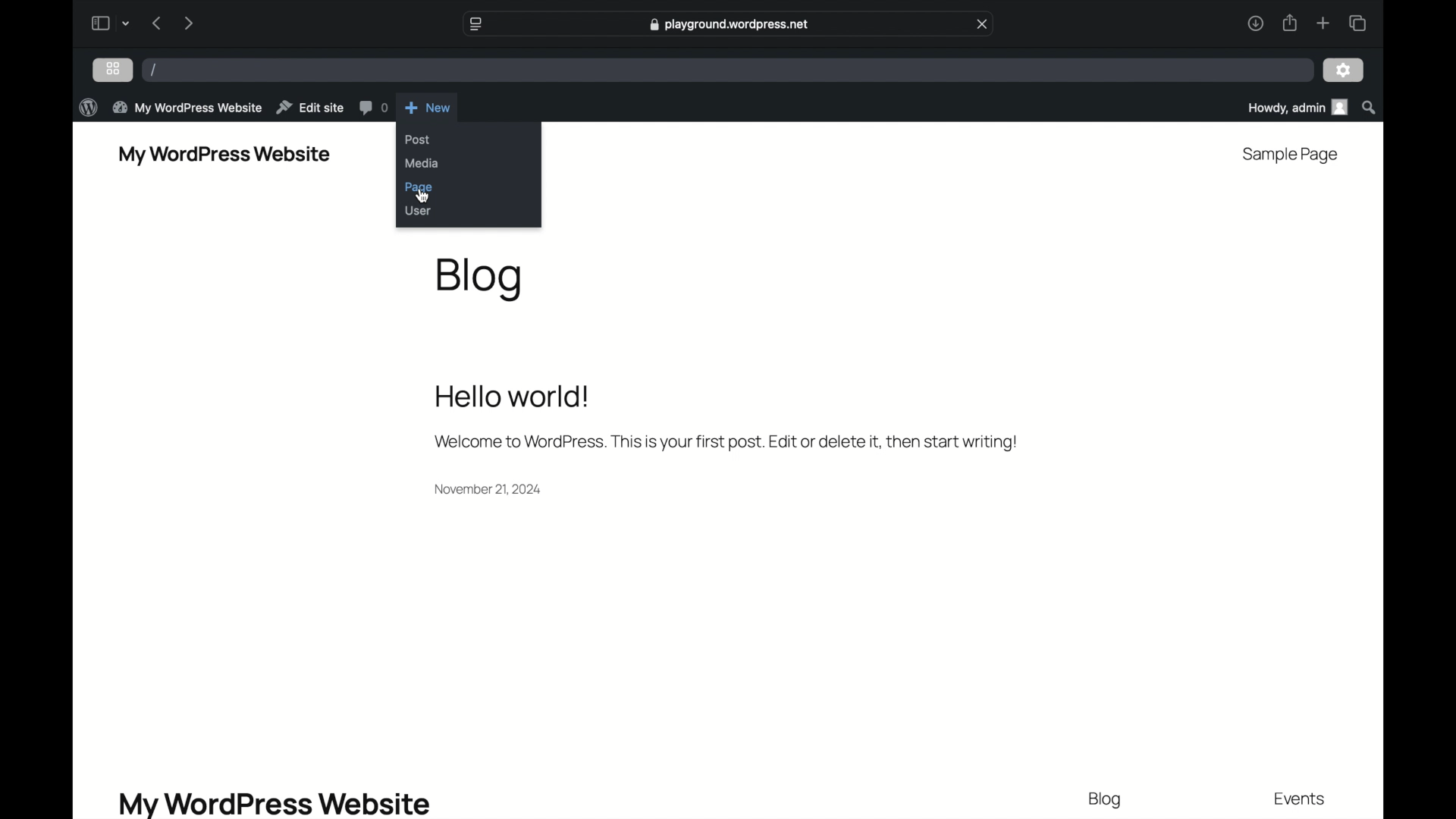  I want to click on wordpress, so click(89, 107).